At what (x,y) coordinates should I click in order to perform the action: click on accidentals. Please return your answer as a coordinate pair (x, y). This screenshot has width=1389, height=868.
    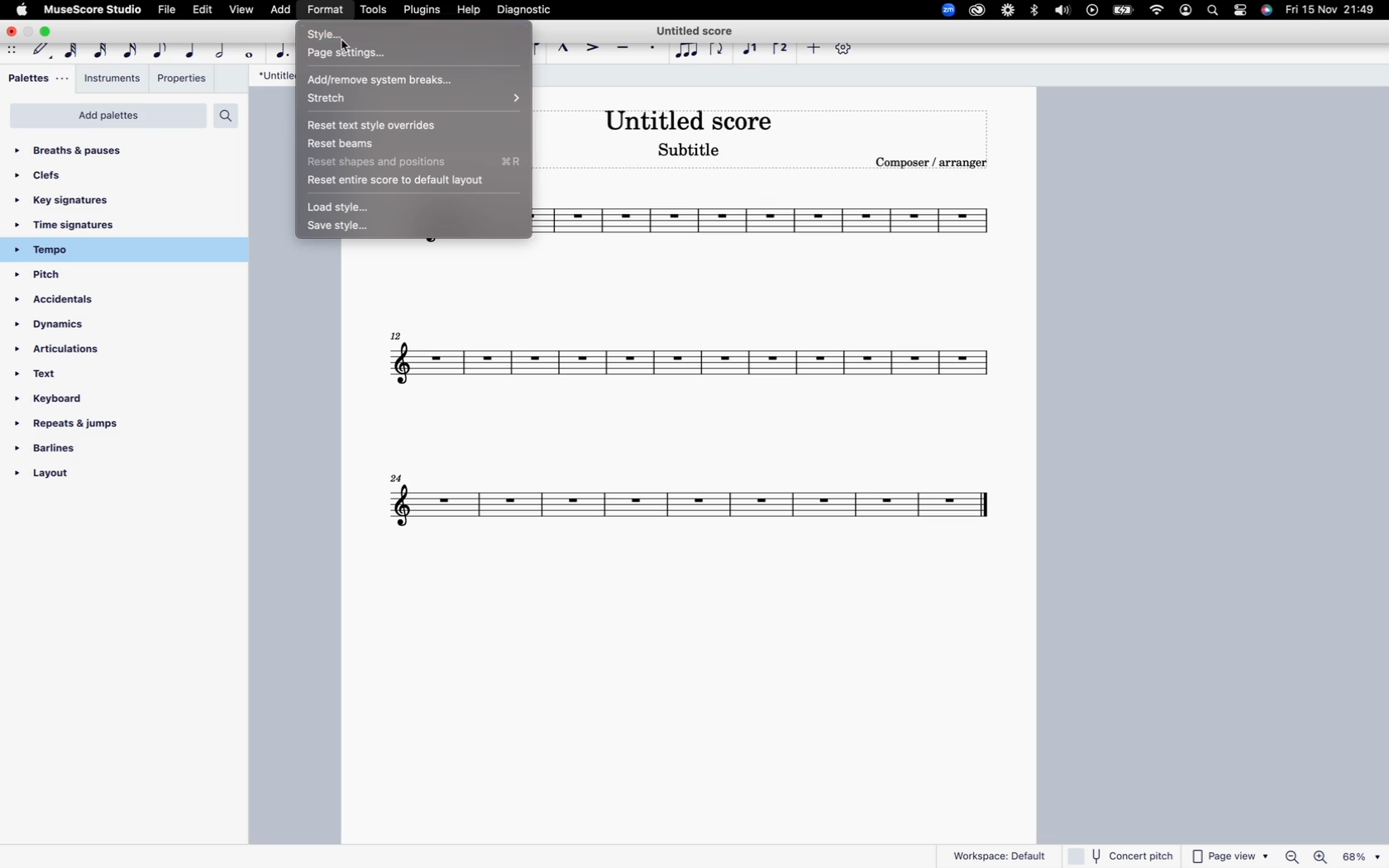
    Looking at the image, I should click on (68, 303).